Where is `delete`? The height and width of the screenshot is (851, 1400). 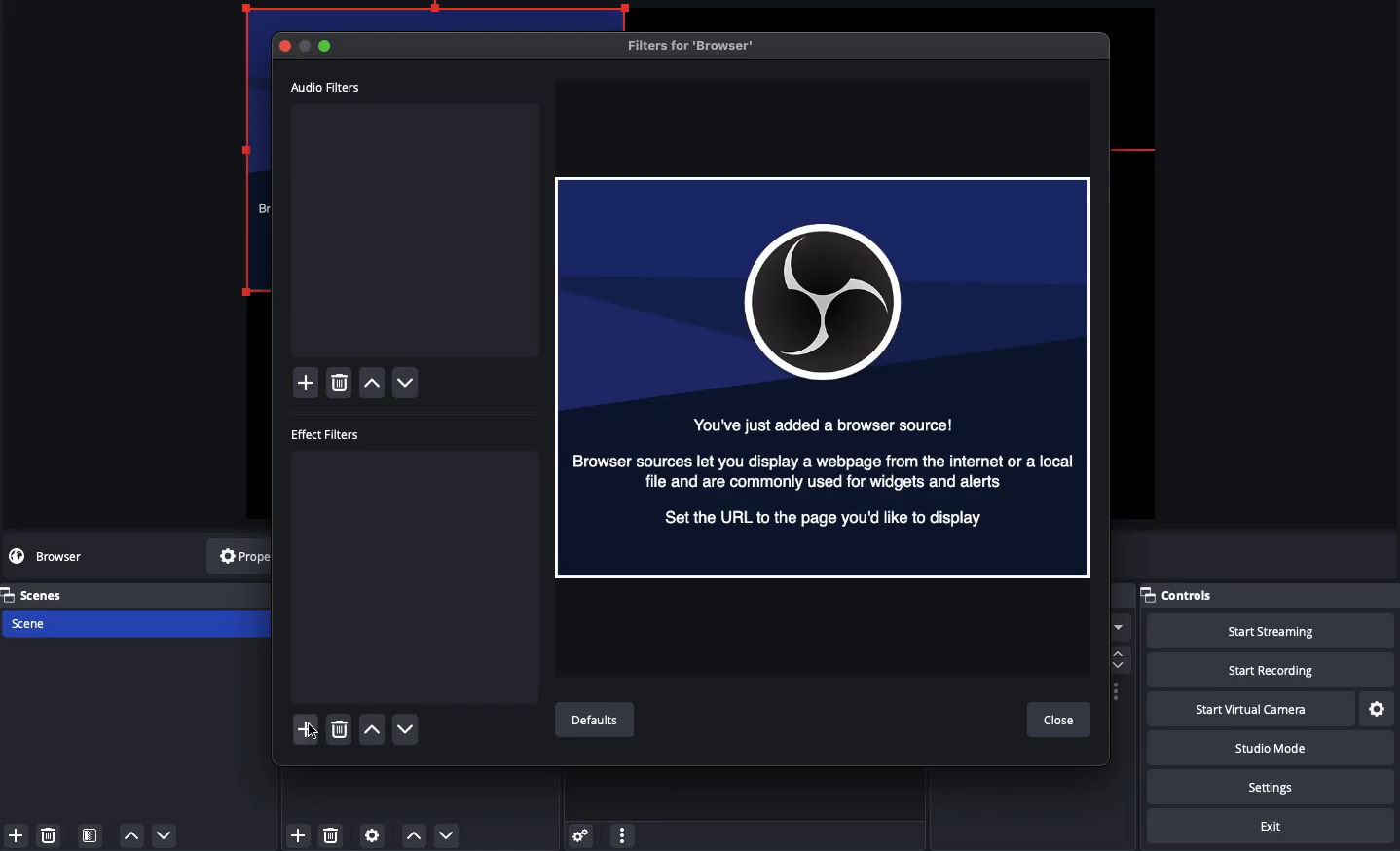
delete is located at coordinates (338, 384).